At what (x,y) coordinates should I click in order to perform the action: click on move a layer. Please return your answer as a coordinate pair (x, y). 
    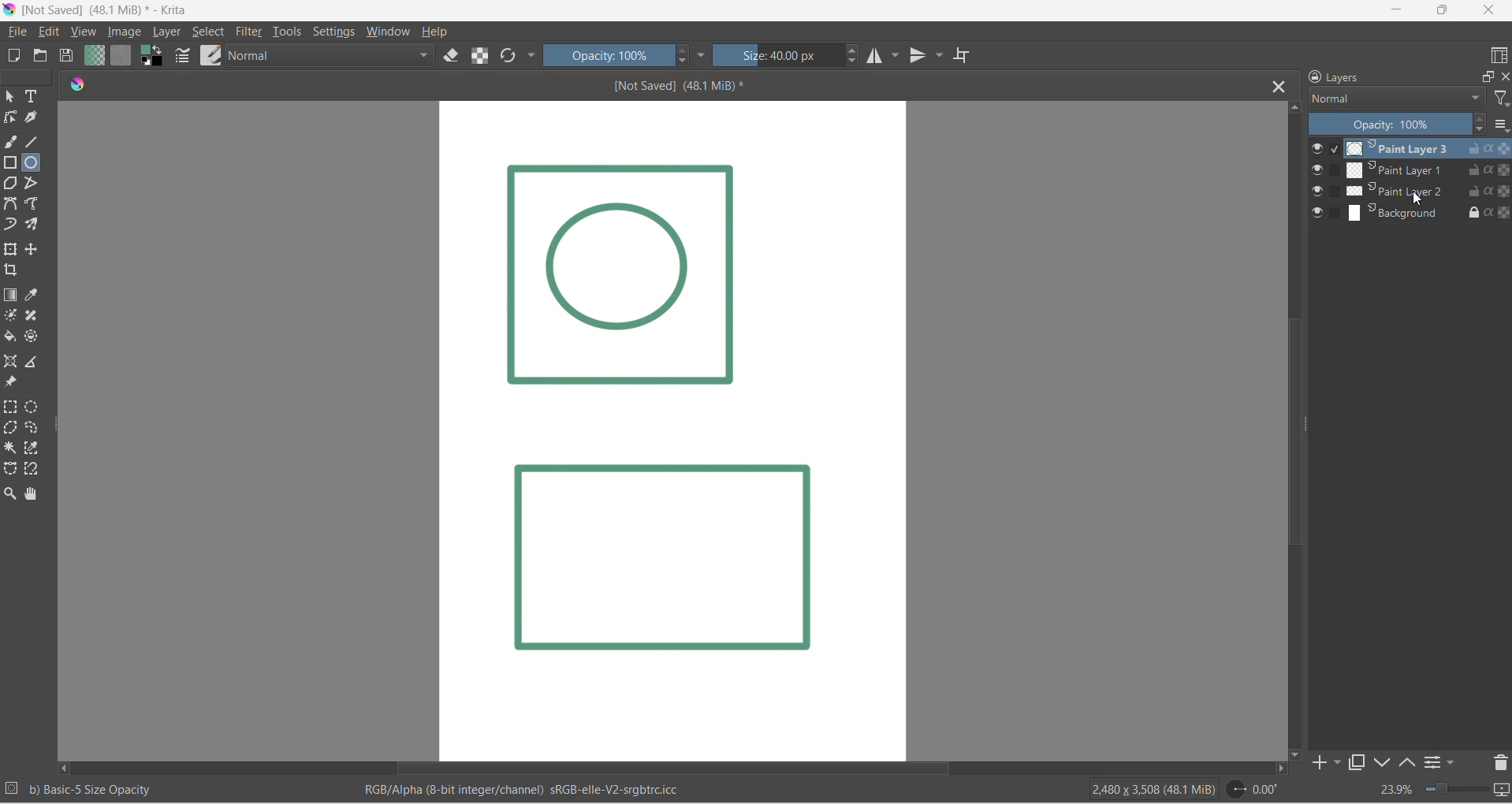
    Looking at the image, I should click on (36, 249).